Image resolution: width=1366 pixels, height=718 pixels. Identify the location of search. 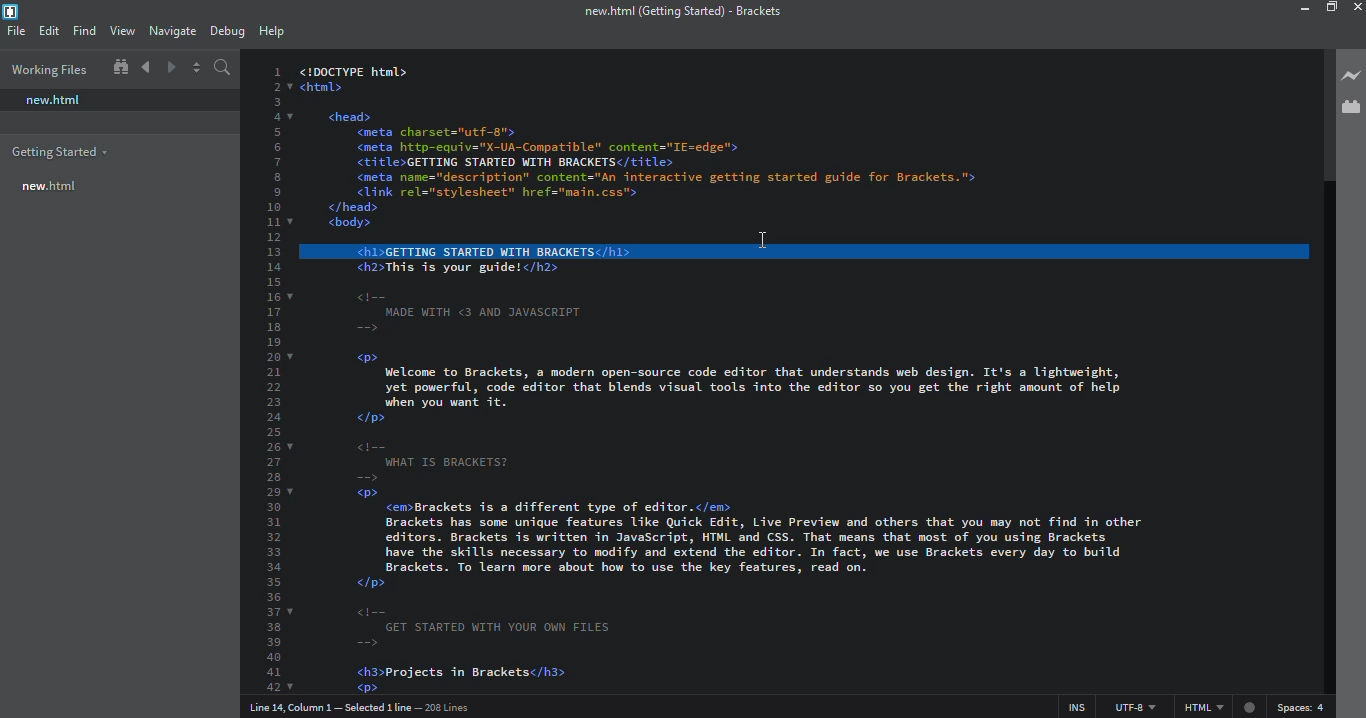
(223, 68).